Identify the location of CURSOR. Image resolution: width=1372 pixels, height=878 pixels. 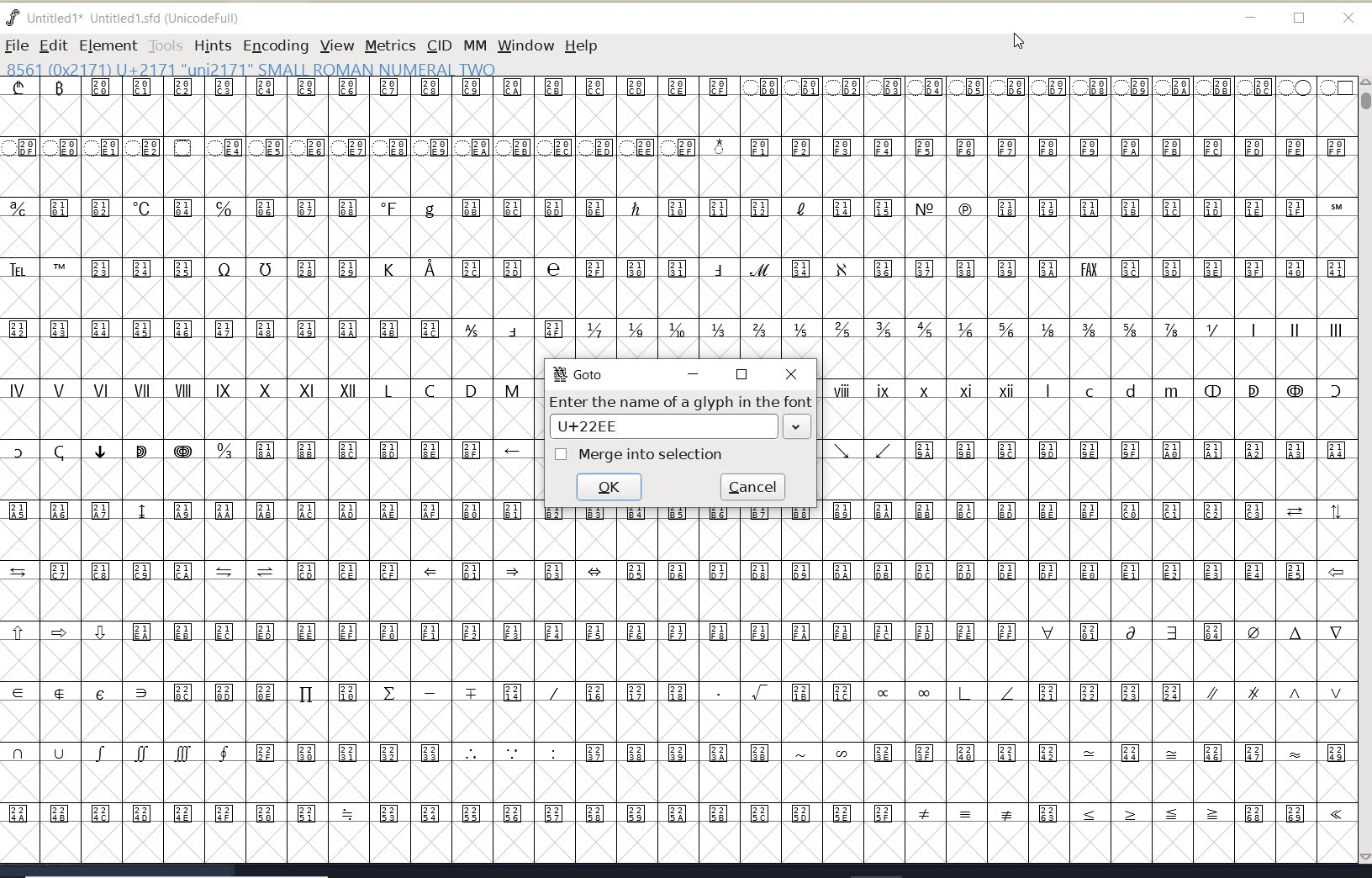
(1017, 42).